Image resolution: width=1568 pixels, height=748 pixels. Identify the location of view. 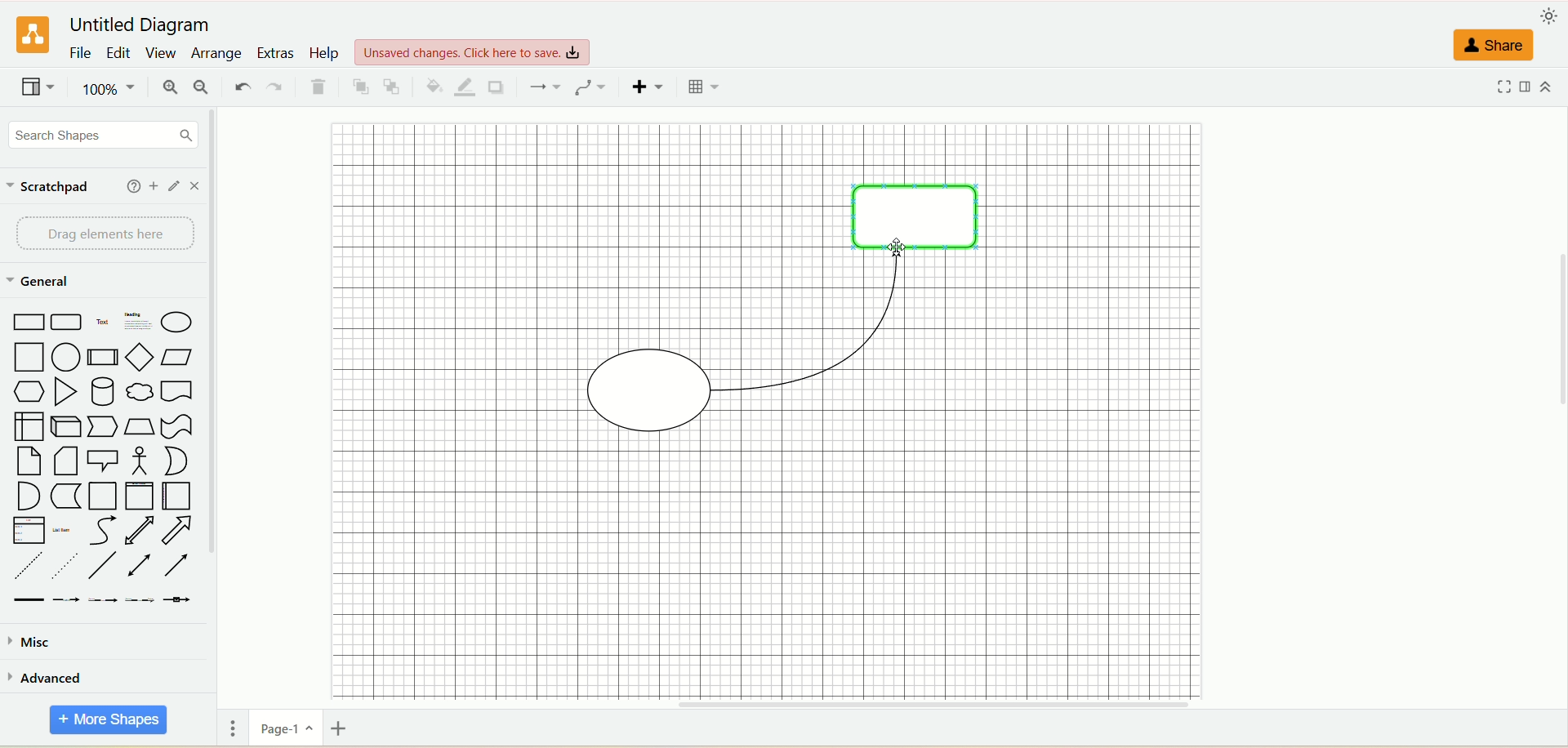
(163, 53).